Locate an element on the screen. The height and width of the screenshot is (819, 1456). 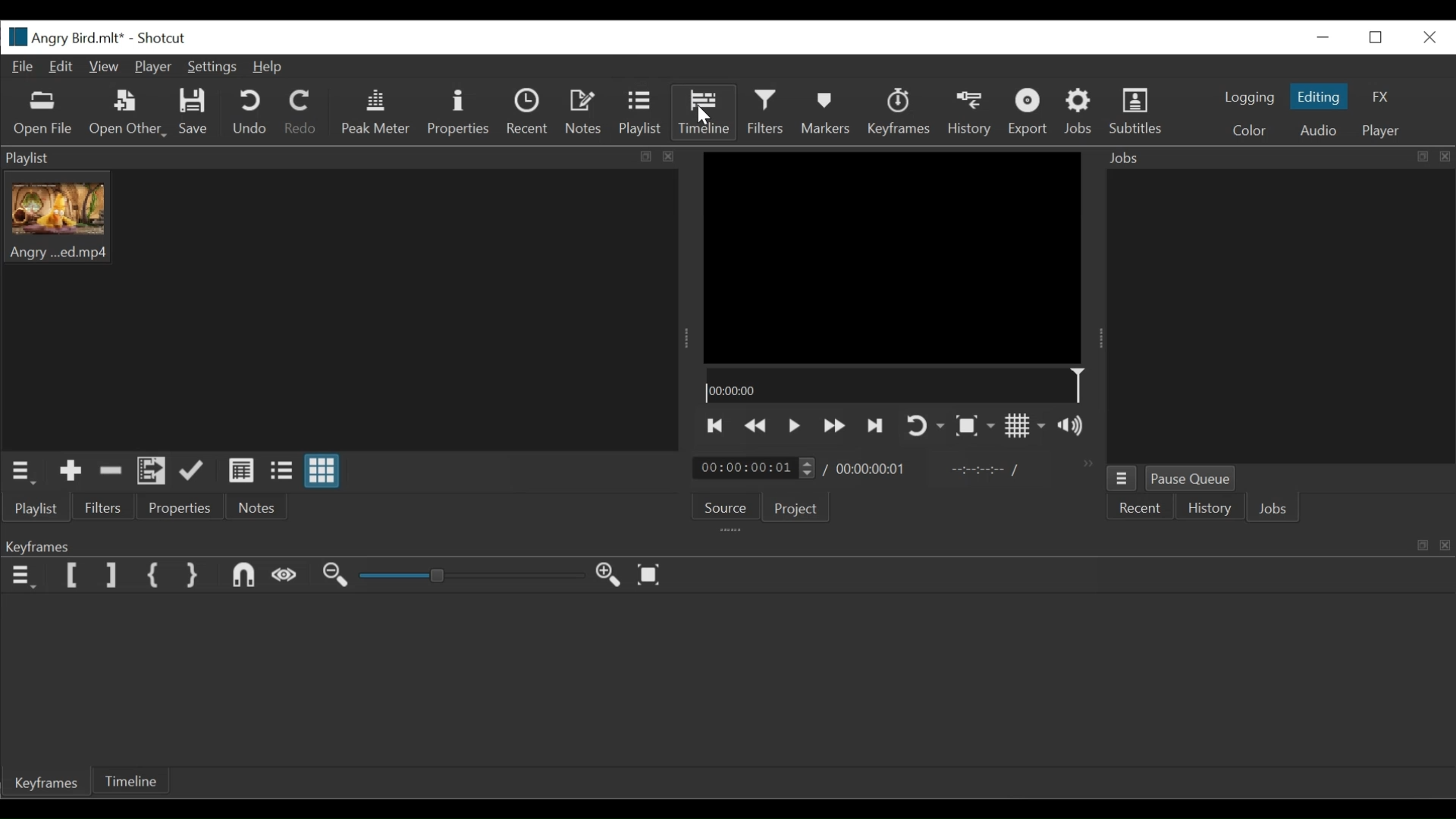
Settings is located at coordinates (212, 67).